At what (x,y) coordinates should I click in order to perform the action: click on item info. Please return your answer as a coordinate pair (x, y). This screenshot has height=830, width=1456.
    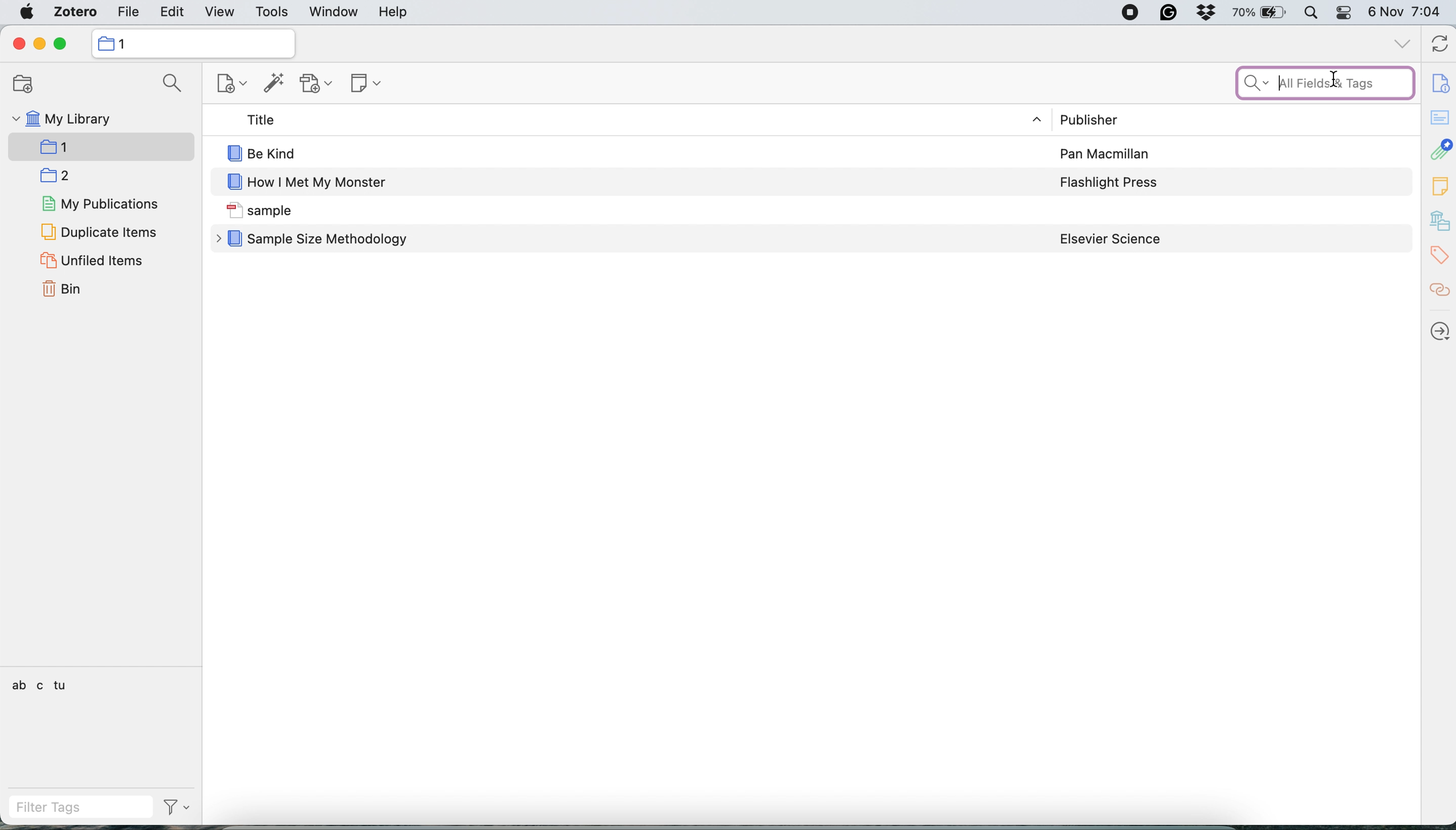
    Looking at the image, I should click on (1438, 80).